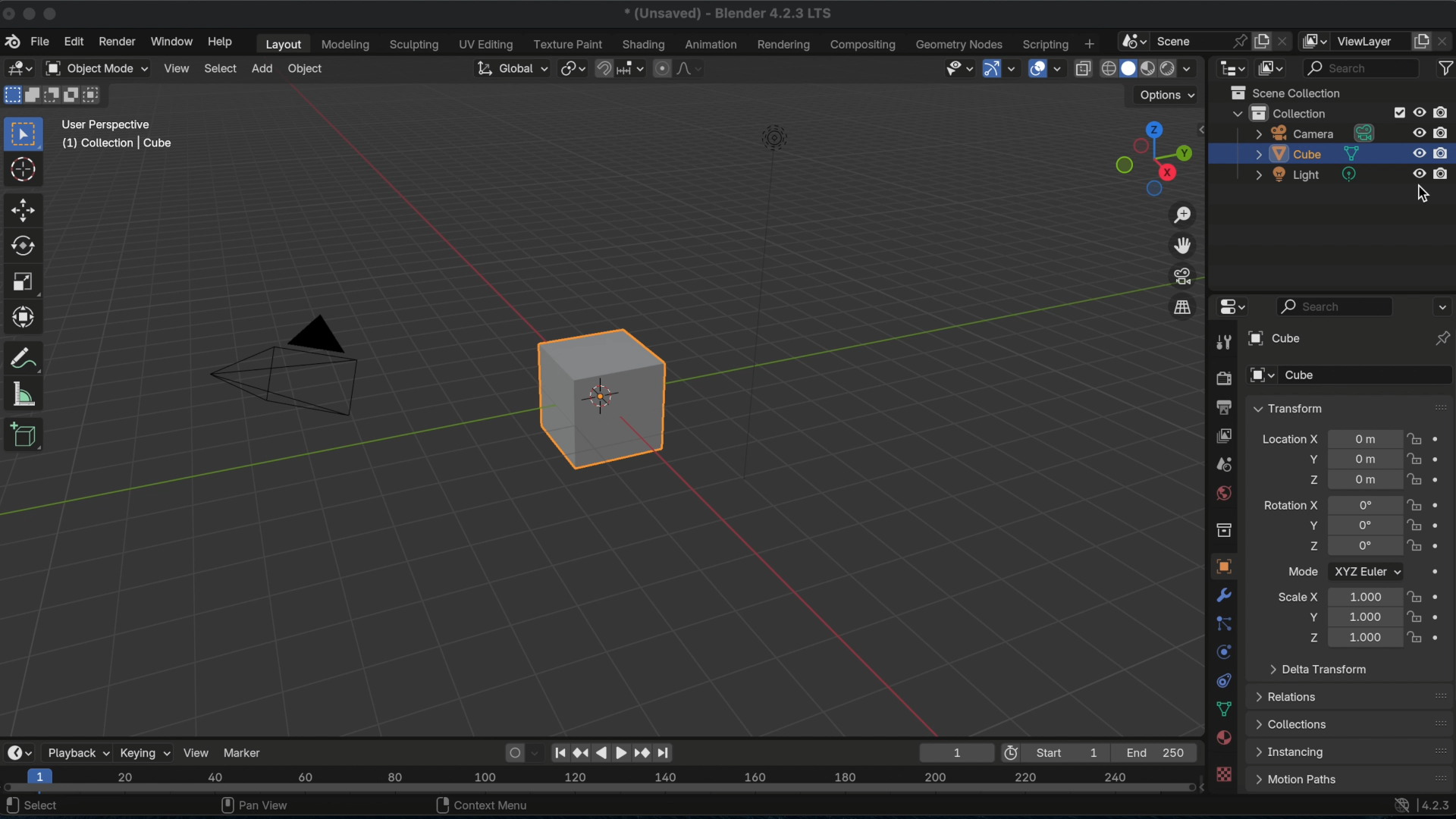 The width and height of the screenshot is (1456, 819). Describe the element at coordinates (28, 435) in the screenshot. I see `add cube` at that location.